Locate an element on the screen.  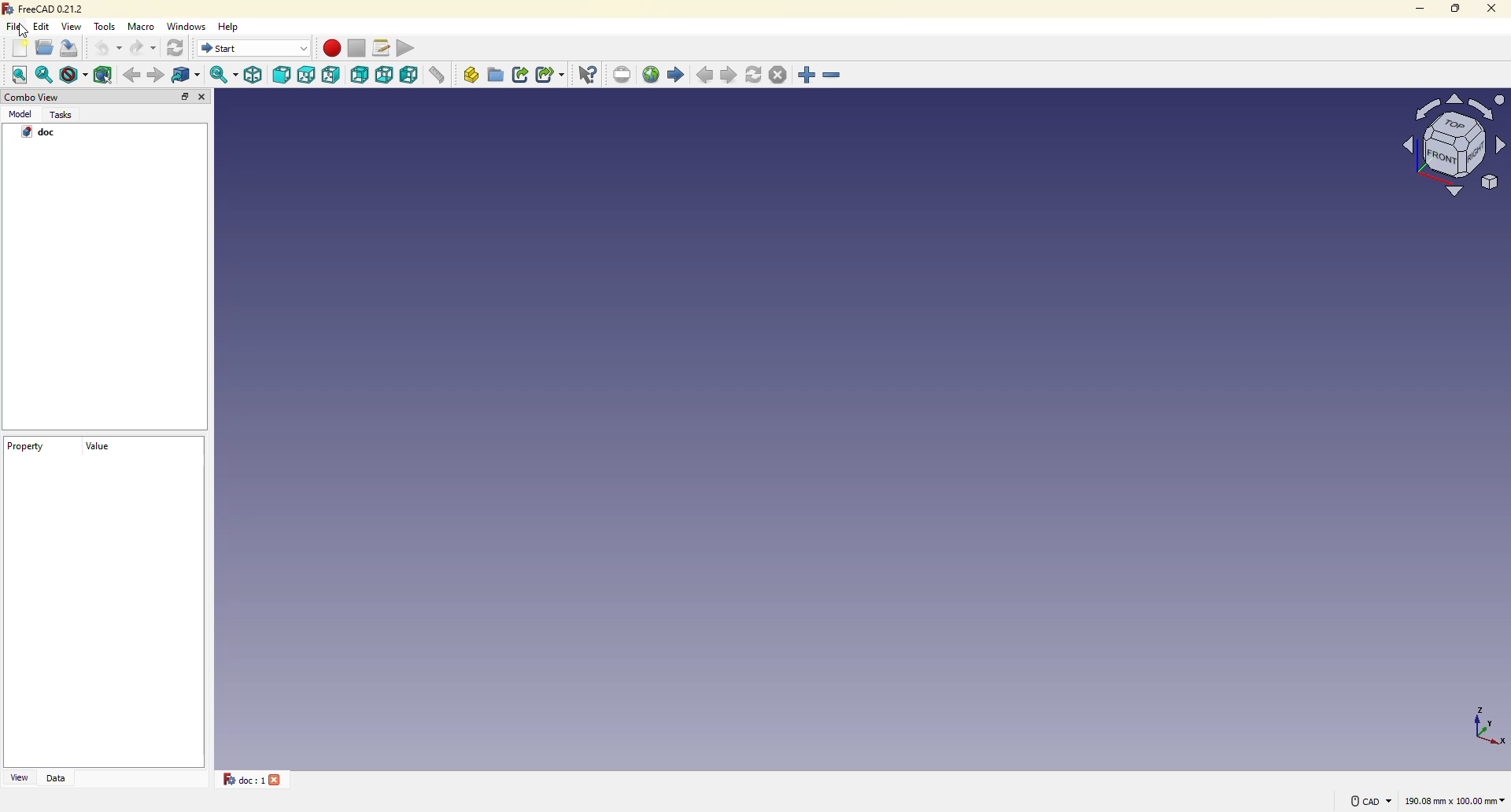
maximize is located at coordinates (1454, 8).